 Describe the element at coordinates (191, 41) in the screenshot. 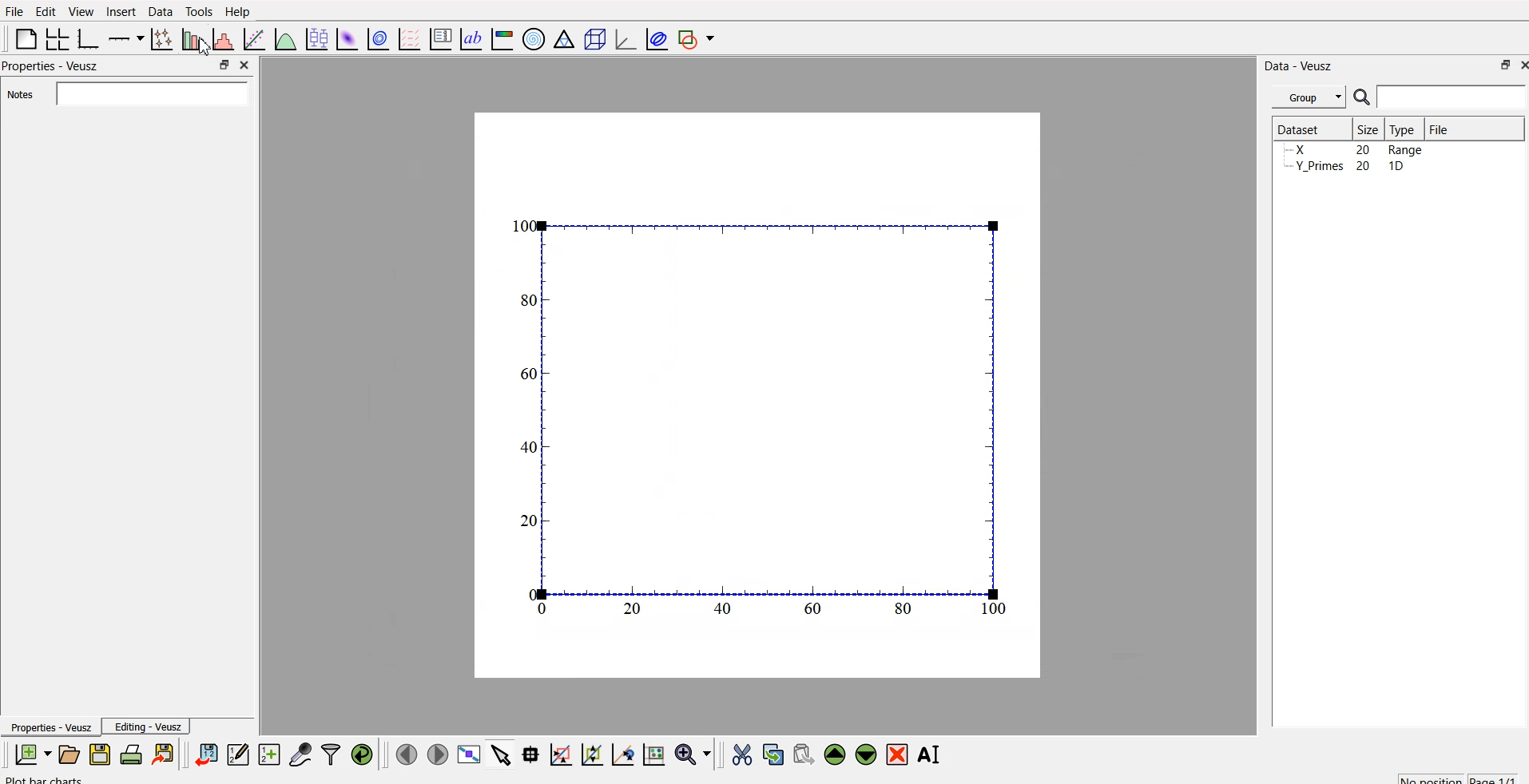

I see `plot bar chart` at that location.